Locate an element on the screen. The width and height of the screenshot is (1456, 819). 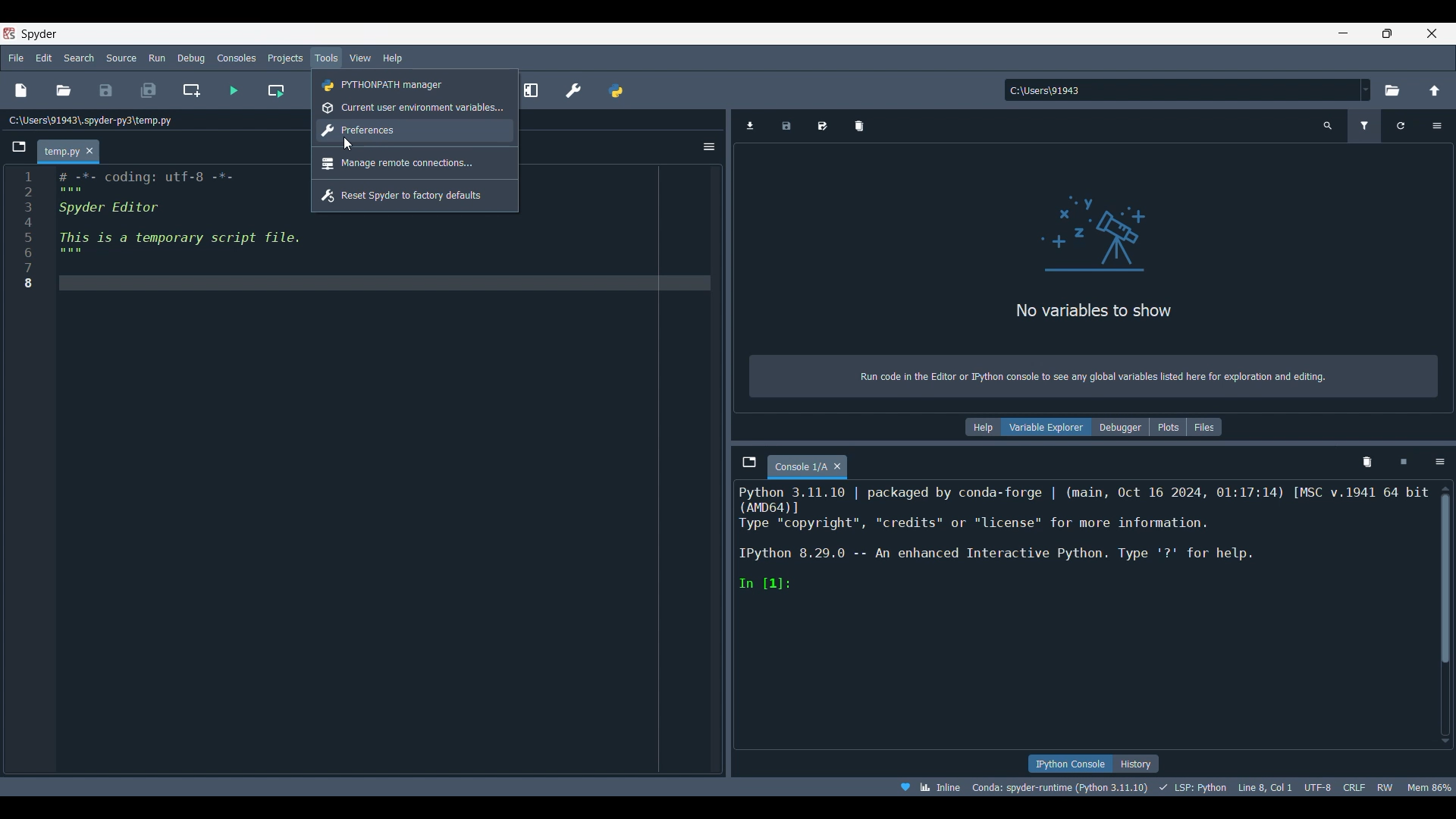
info is located at coordinates (1090, 378).